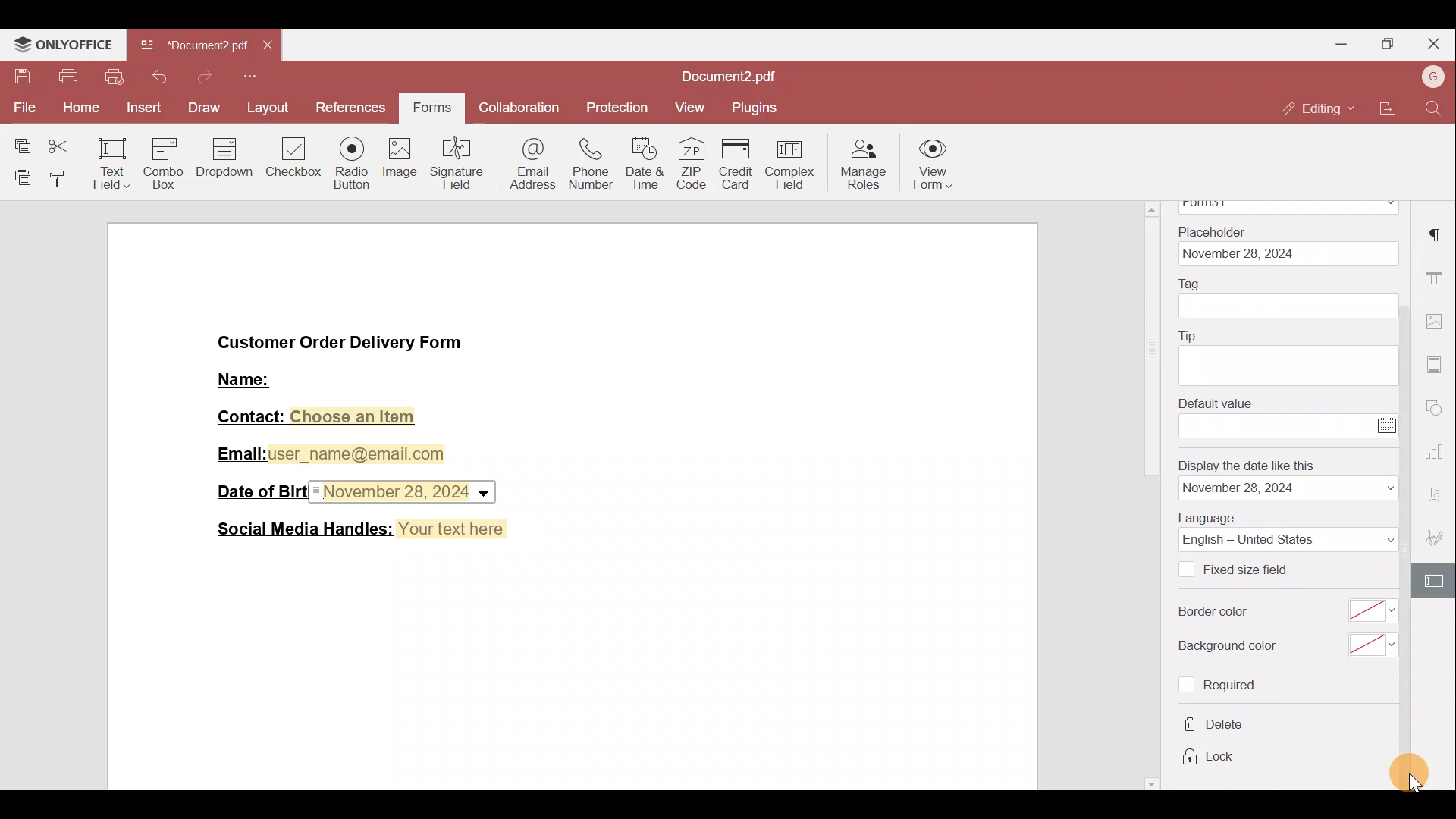 The width and height of the screenshot is (1456, 819). I want to click on Manage roles, so click(864, 167).